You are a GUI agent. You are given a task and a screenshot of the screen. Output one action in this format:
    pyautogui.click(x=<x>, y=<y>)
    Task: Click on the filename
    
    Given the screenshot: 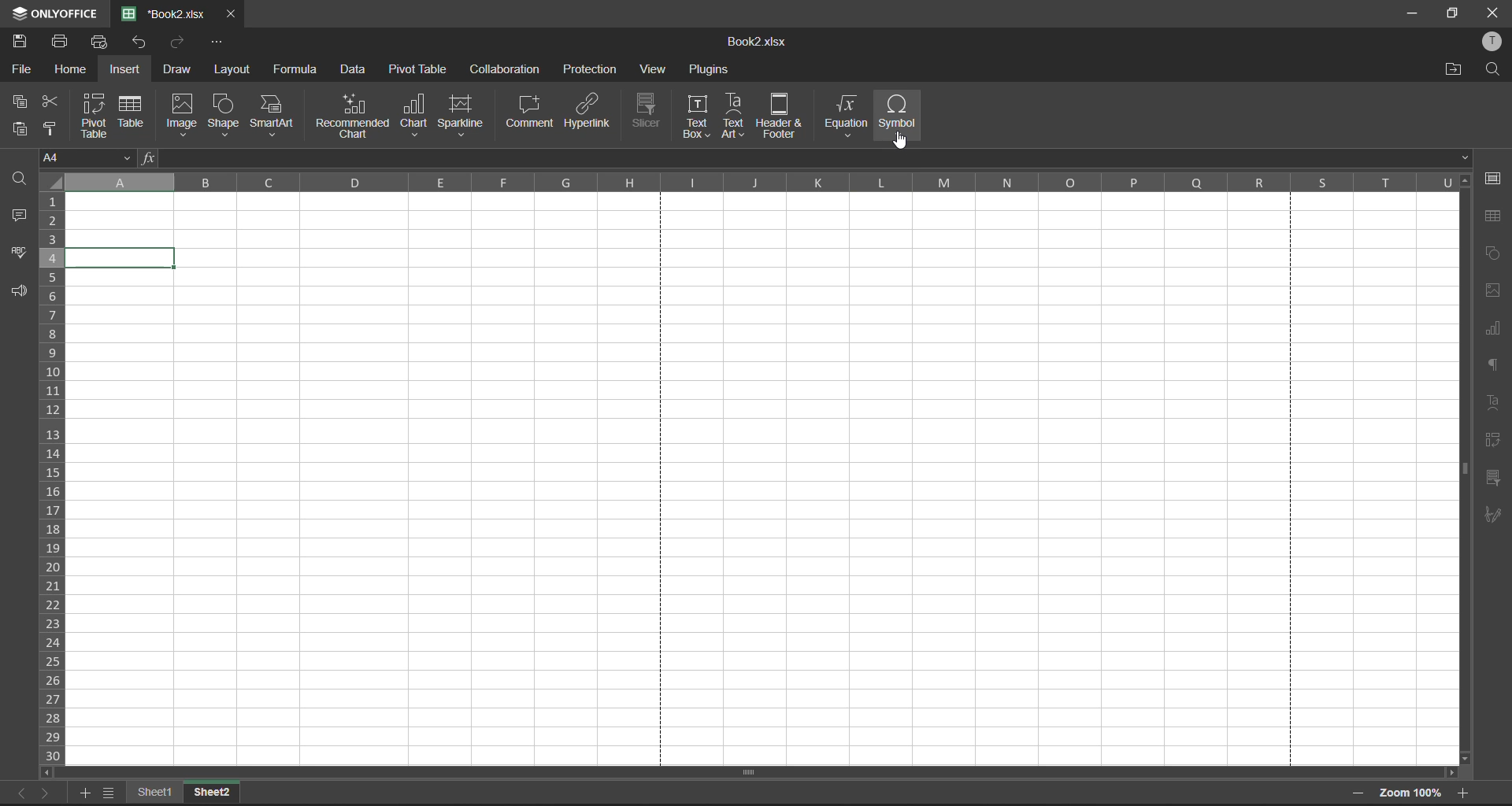 What is the action you would take?
    pyautogui.click(x=165, y=13)
    